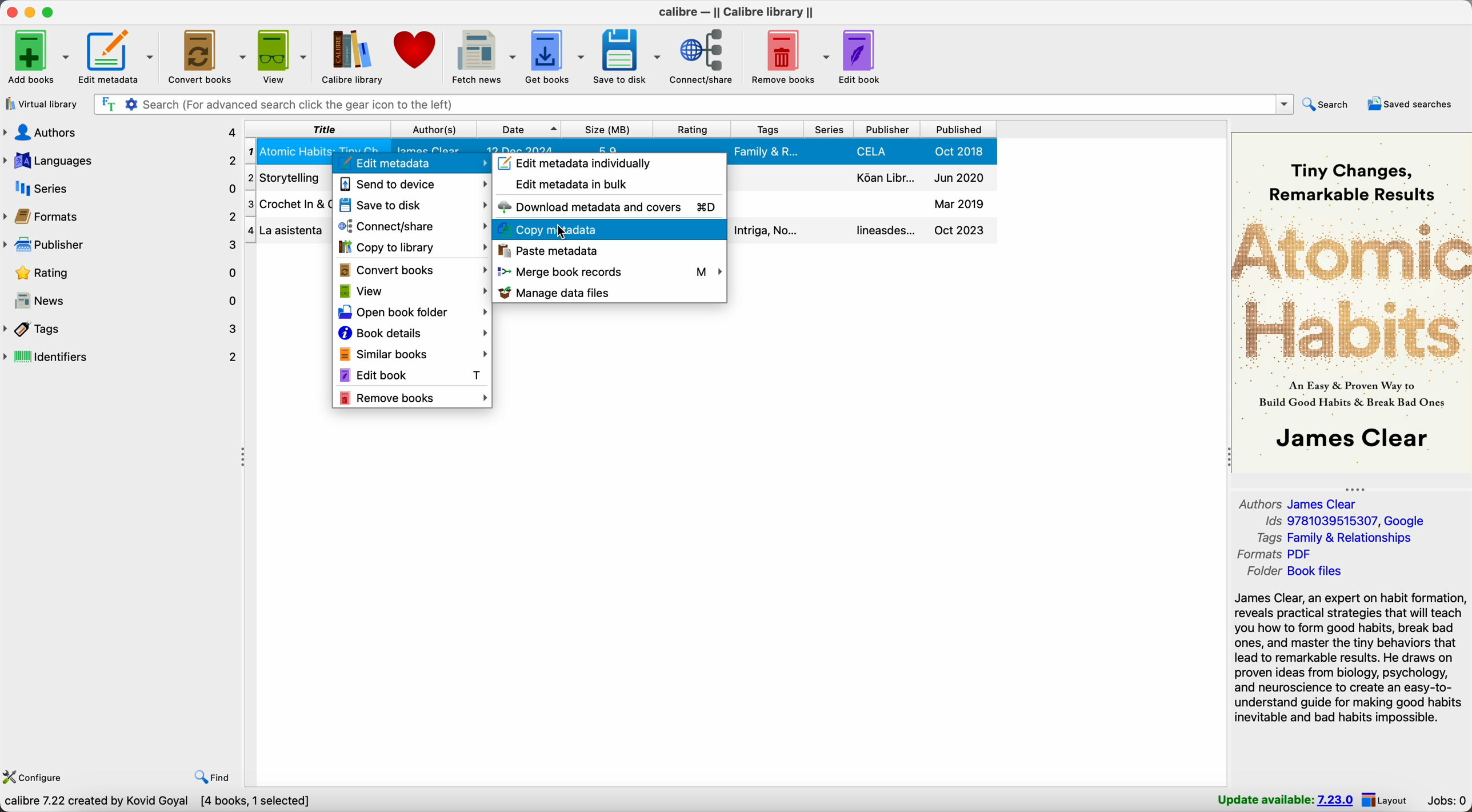 This screenshot has height=812, width=1472. Describe the element at coordinates (865, 179) in the screenshot. I see `storytelling book details` at that location.